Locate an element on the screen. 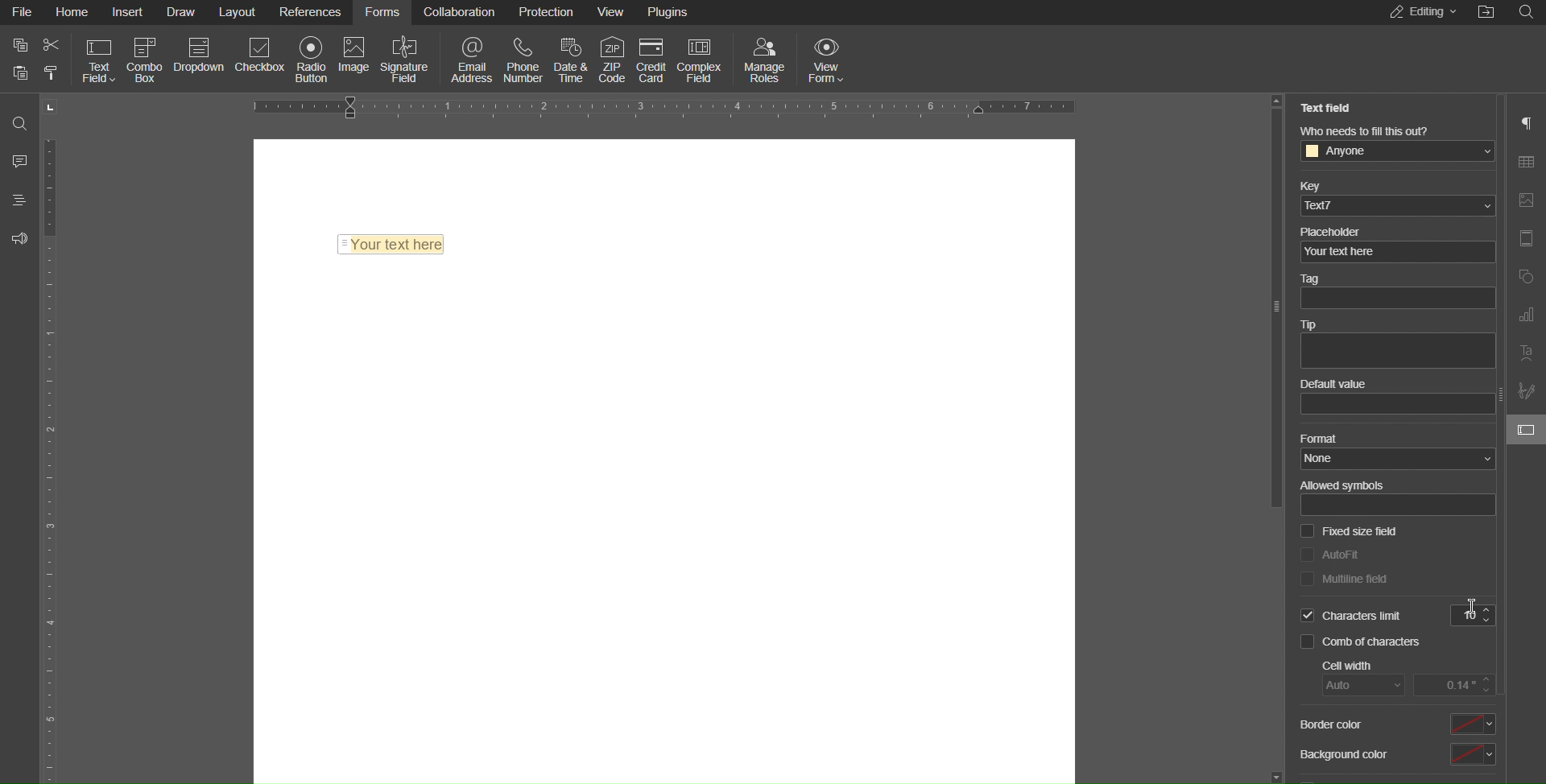  Comments is located at coordinates (18, 160).